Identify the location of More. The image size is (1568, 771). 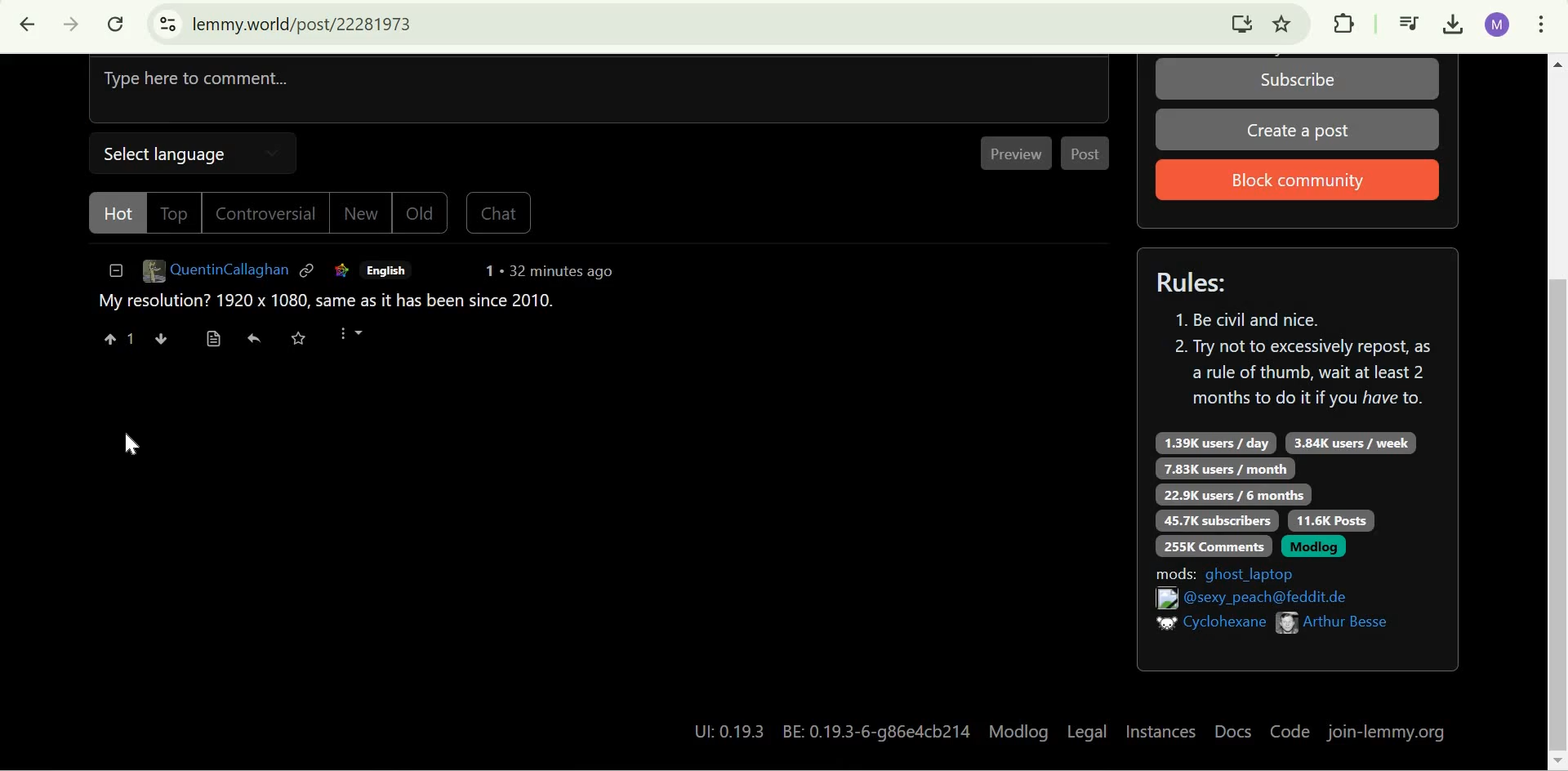
(359, 341).